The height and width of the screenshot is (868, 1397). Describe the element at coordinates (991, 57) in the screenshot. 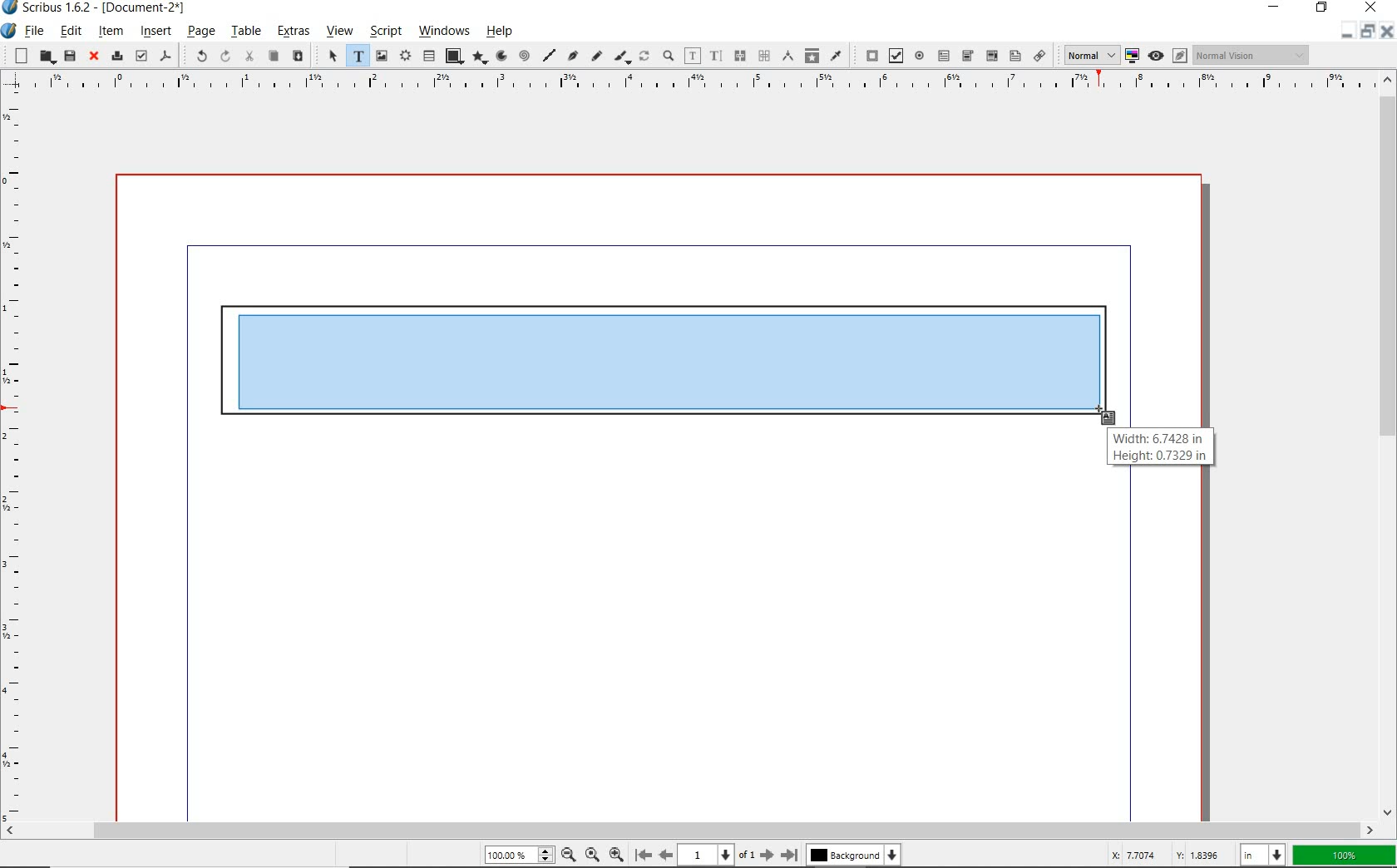

I see `pdf combo box` at that location.